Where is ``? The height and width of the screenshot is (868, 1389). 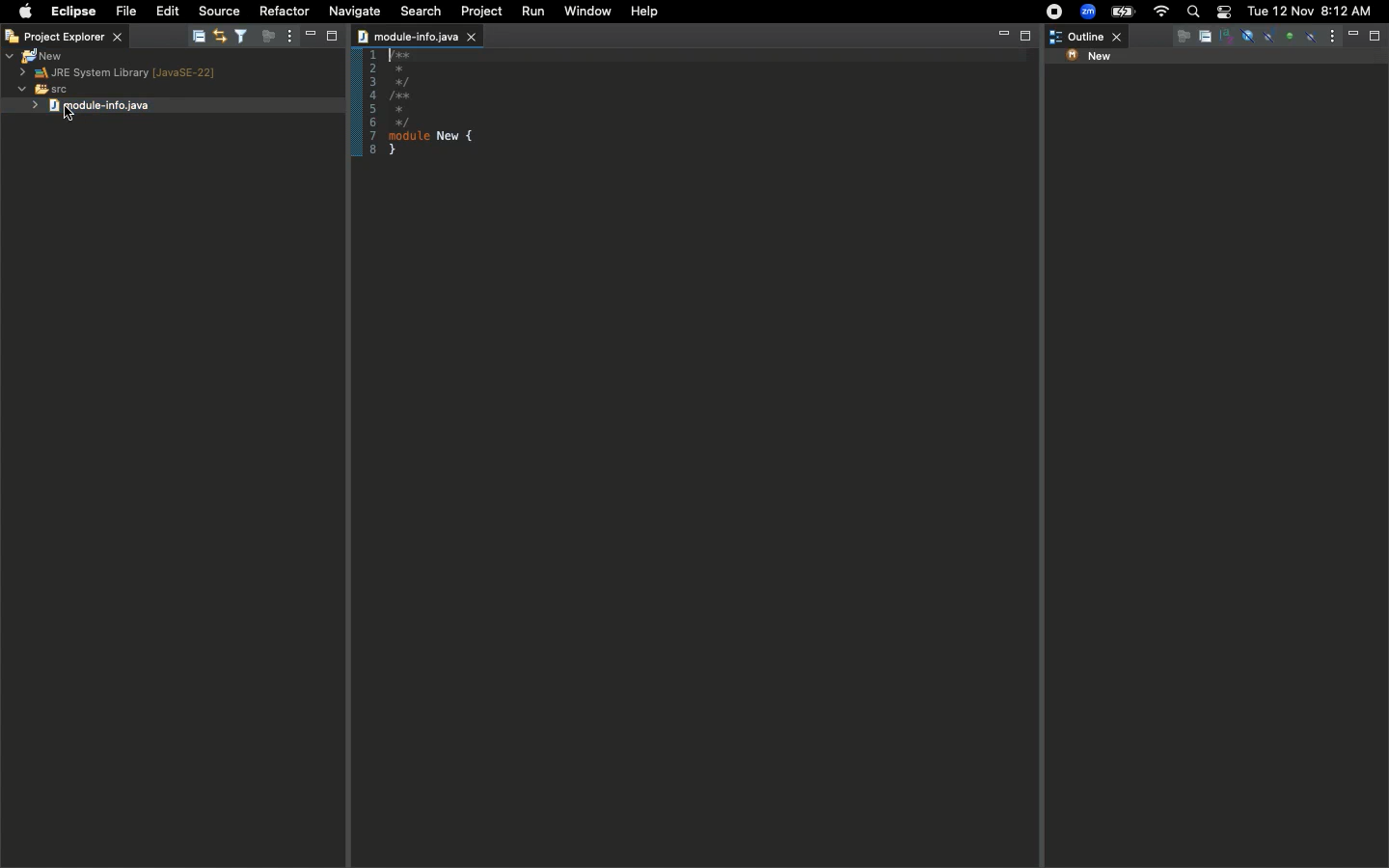
 is located at coordinates (1184, 35).